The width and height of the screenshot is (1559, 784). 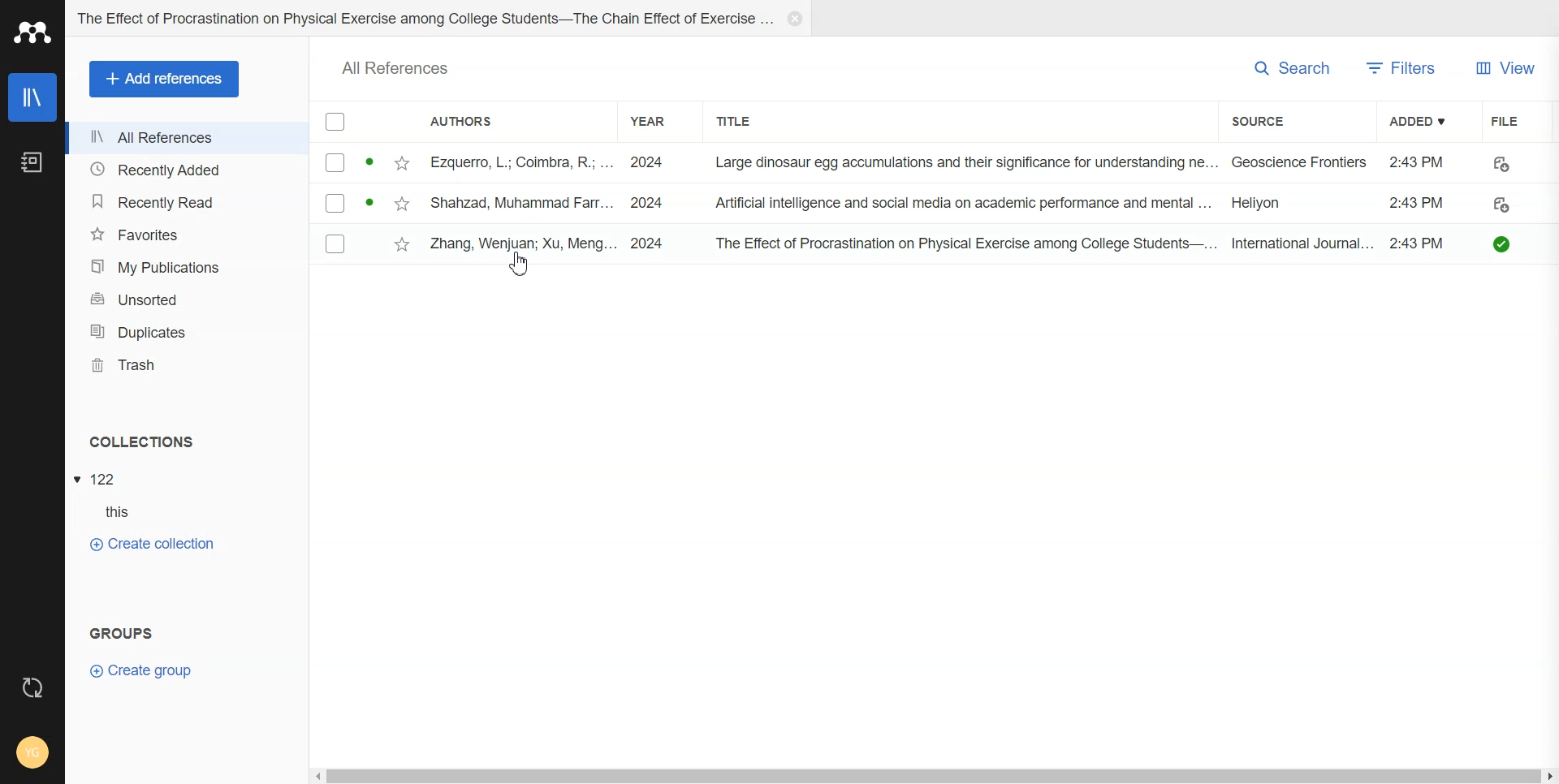 What do you see at coordinates (336, 203) in the screenshot?
I see `Checkbox` at bounding box center [336, 203].